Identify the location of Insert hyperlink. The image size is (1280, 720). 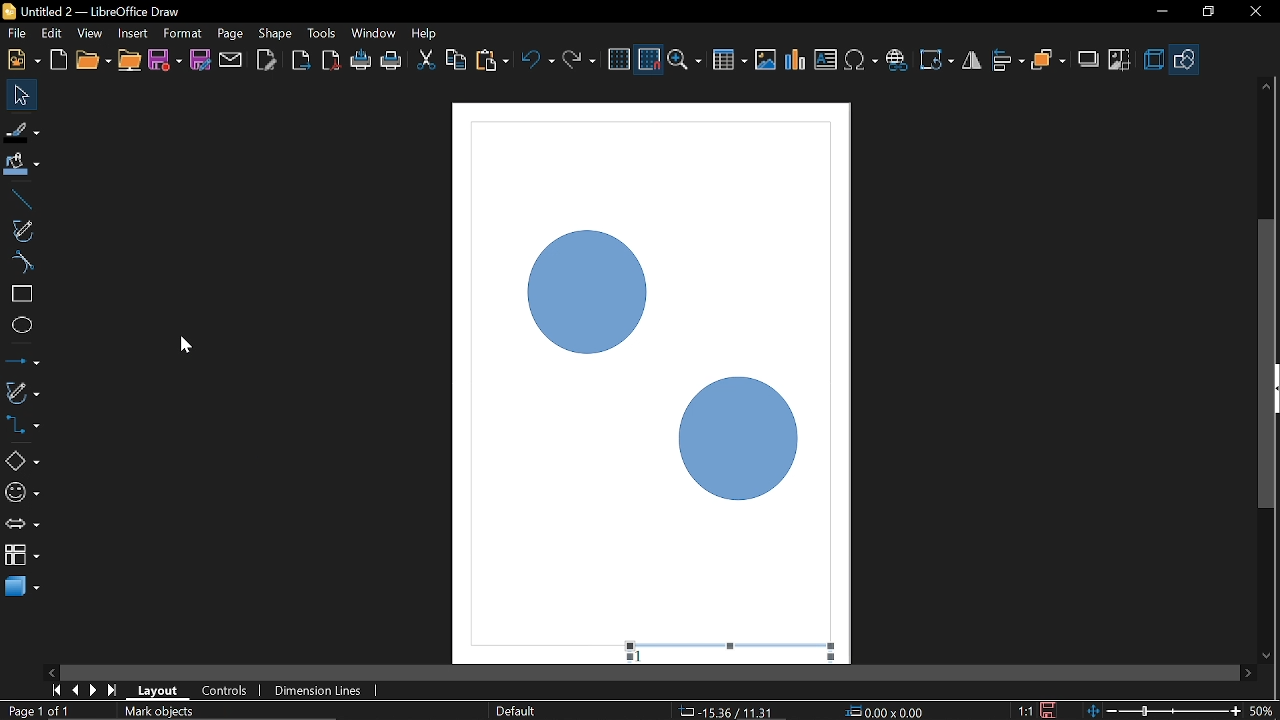
(897, 60).